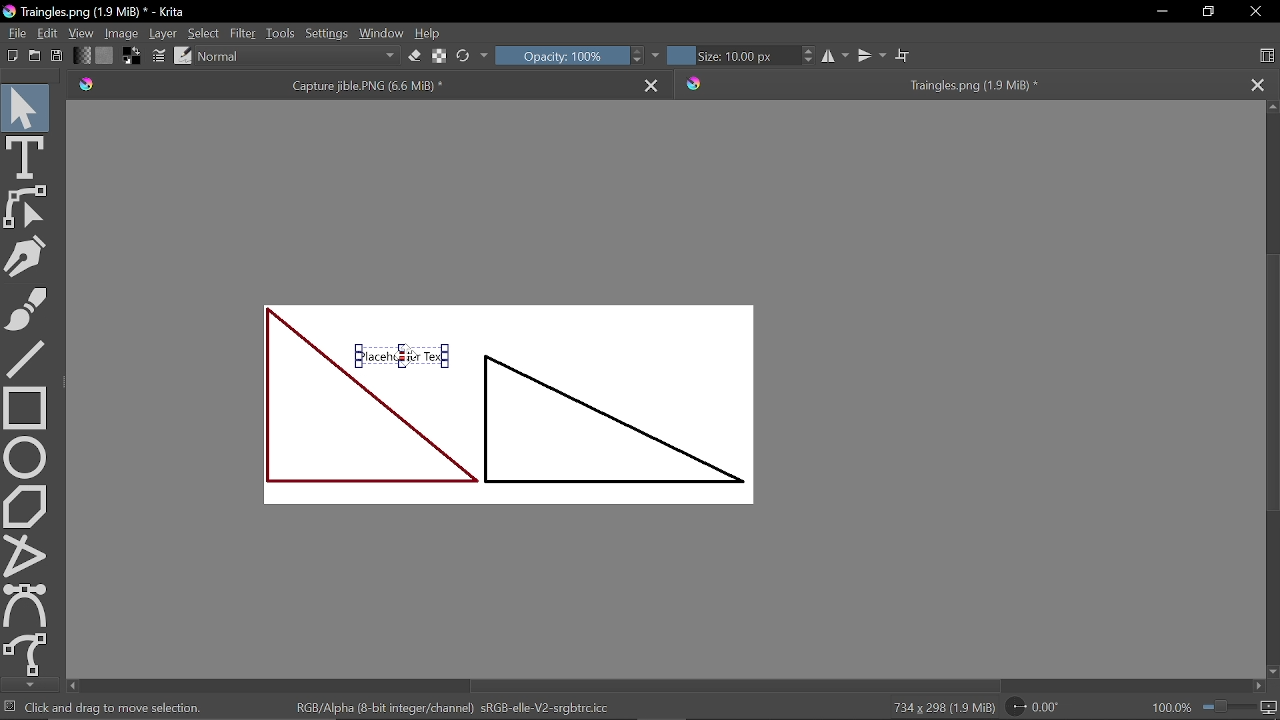 The height and width of the screenshot is (720, 1280). Describe the element at coordinates (182, 56) in the screenshot. I see `Choose brush preset` at that location.